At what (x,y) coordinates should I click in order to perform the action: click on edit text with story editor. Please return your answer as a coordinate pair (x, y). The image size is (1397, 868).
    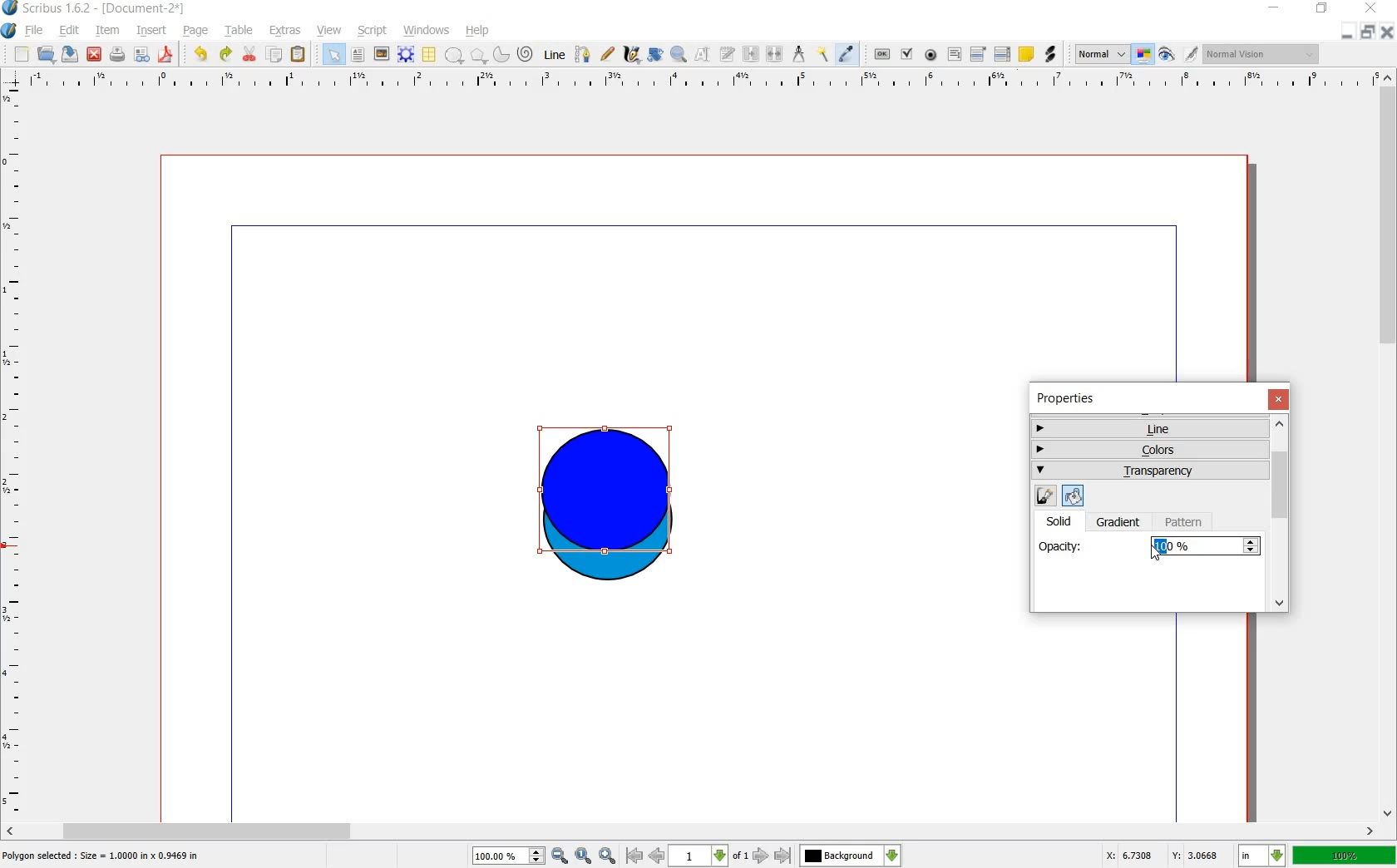
    Looking at the image, I should click on (728, 56).